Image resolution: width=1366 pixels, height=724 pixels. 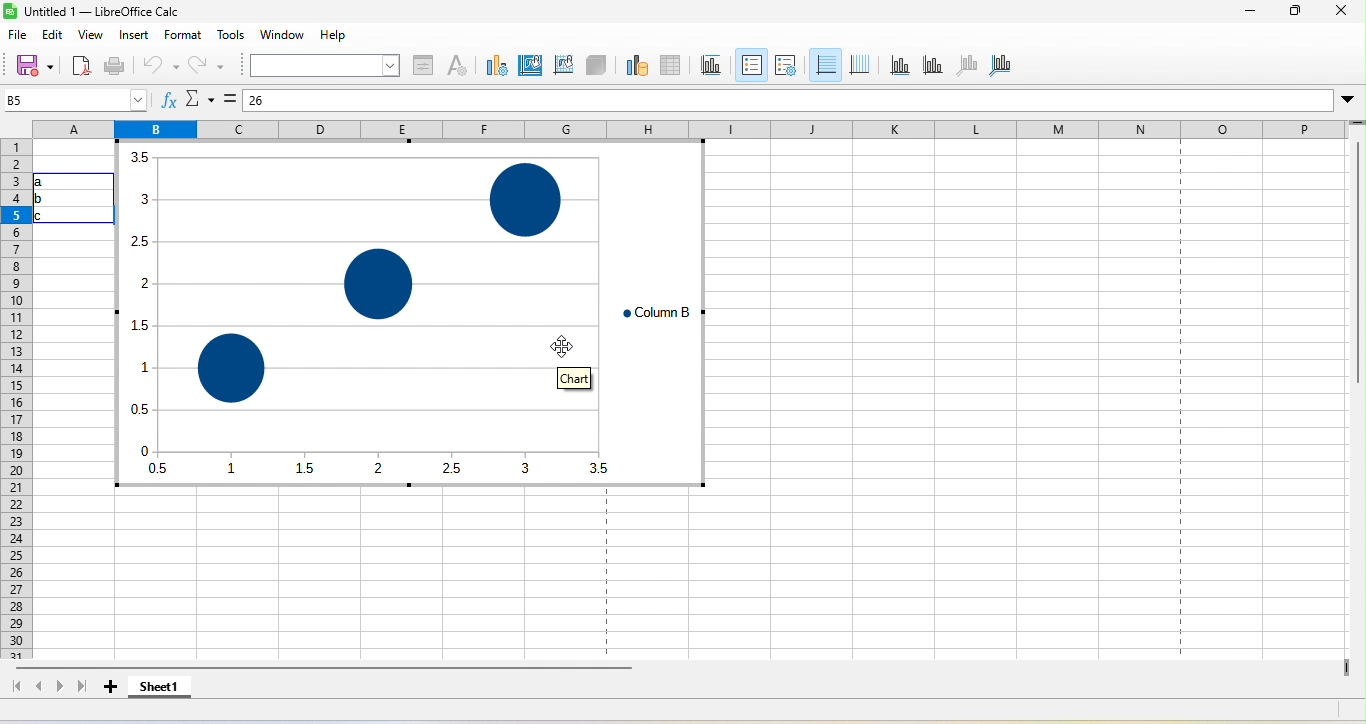 What do you see at coordinates (37, 66) in the screenshot?
I see `save` at bounding box center [37, 66].